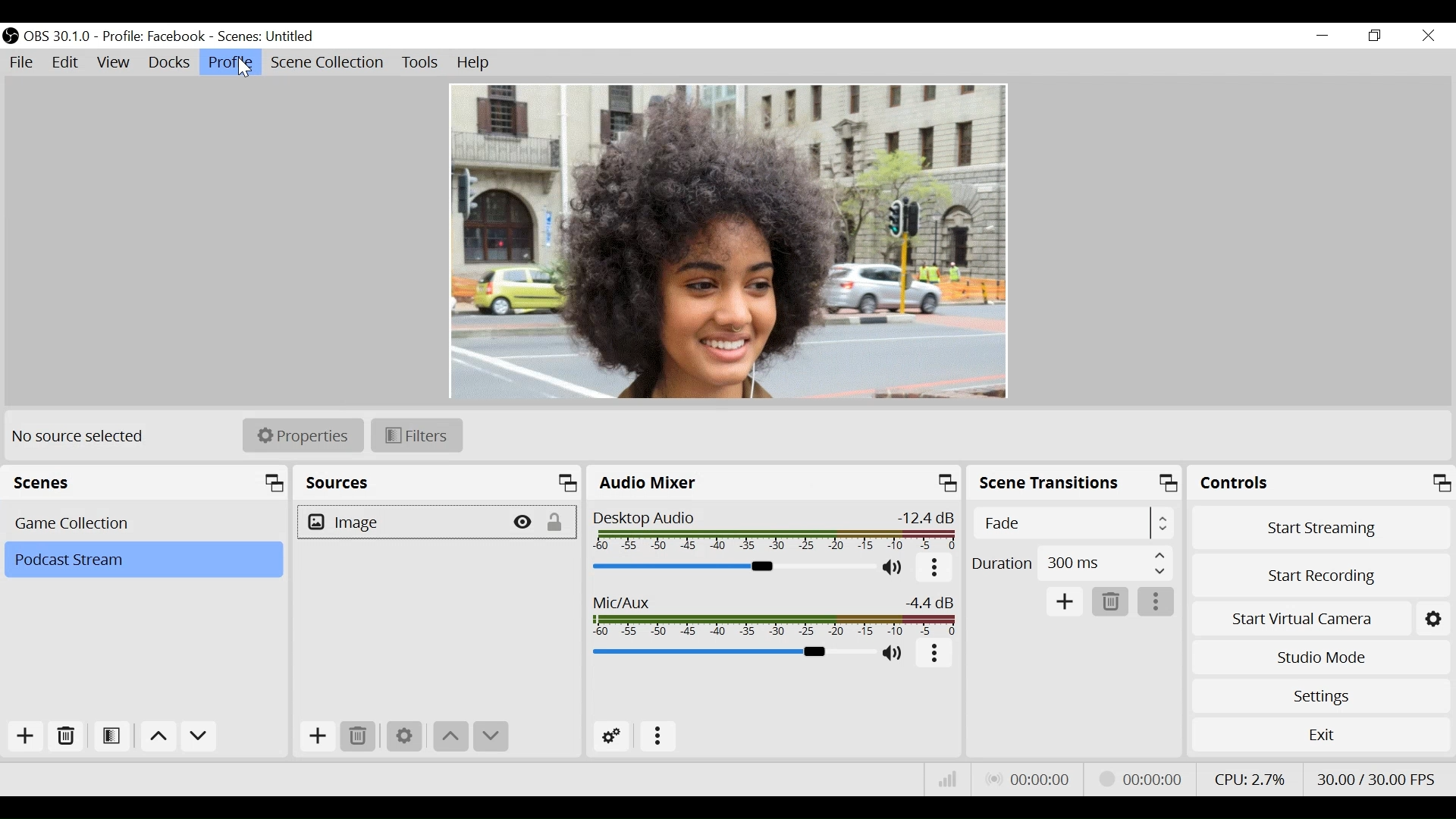  What do you see at coordinates (1150, 779) in the screenshot?
I see `Stream Status` at bounding box center [1150, 779].